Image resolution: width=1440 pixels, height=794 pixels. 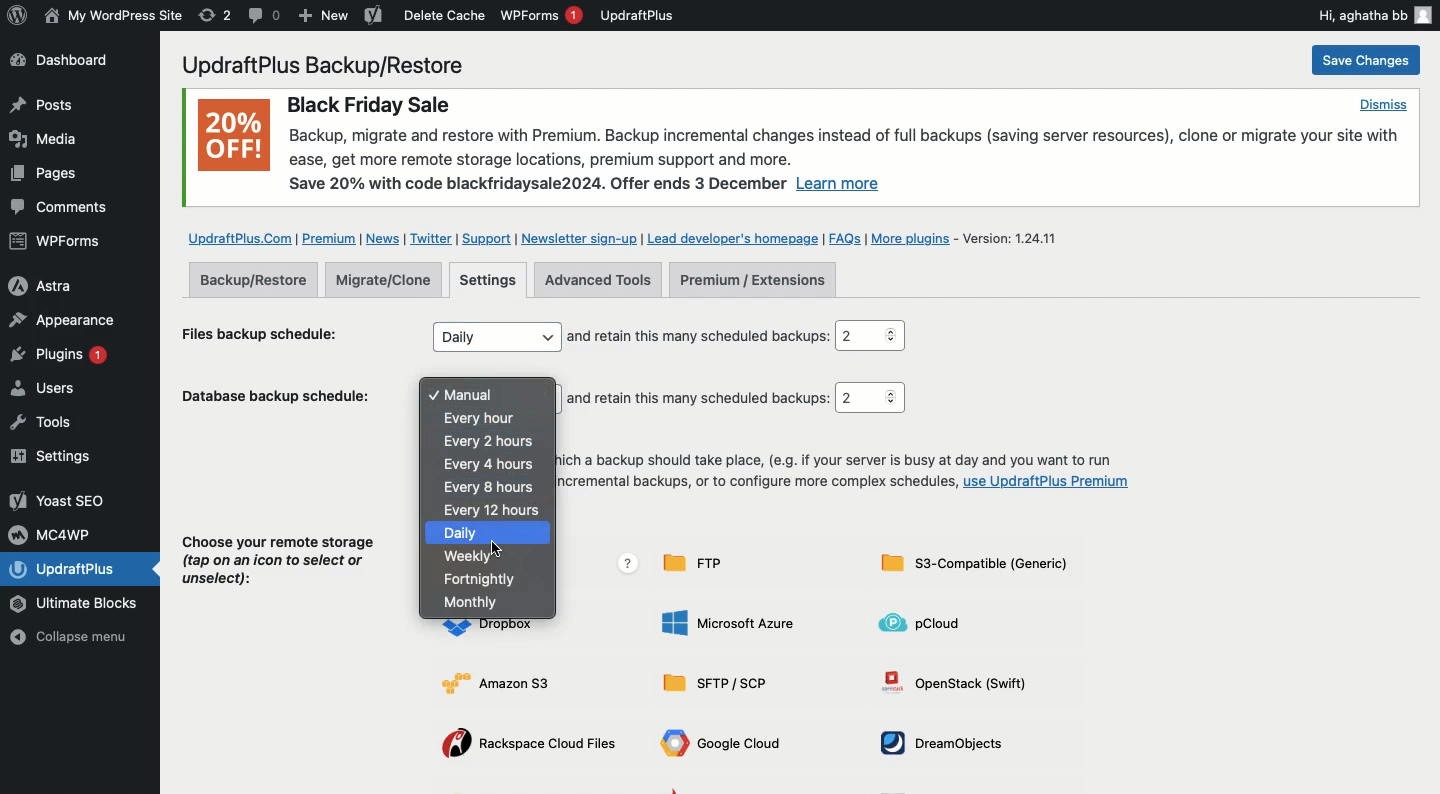 What do you see at coordinates (701, 563) in the screenshot?
I see `FTP` at bounding box center [701, 563].